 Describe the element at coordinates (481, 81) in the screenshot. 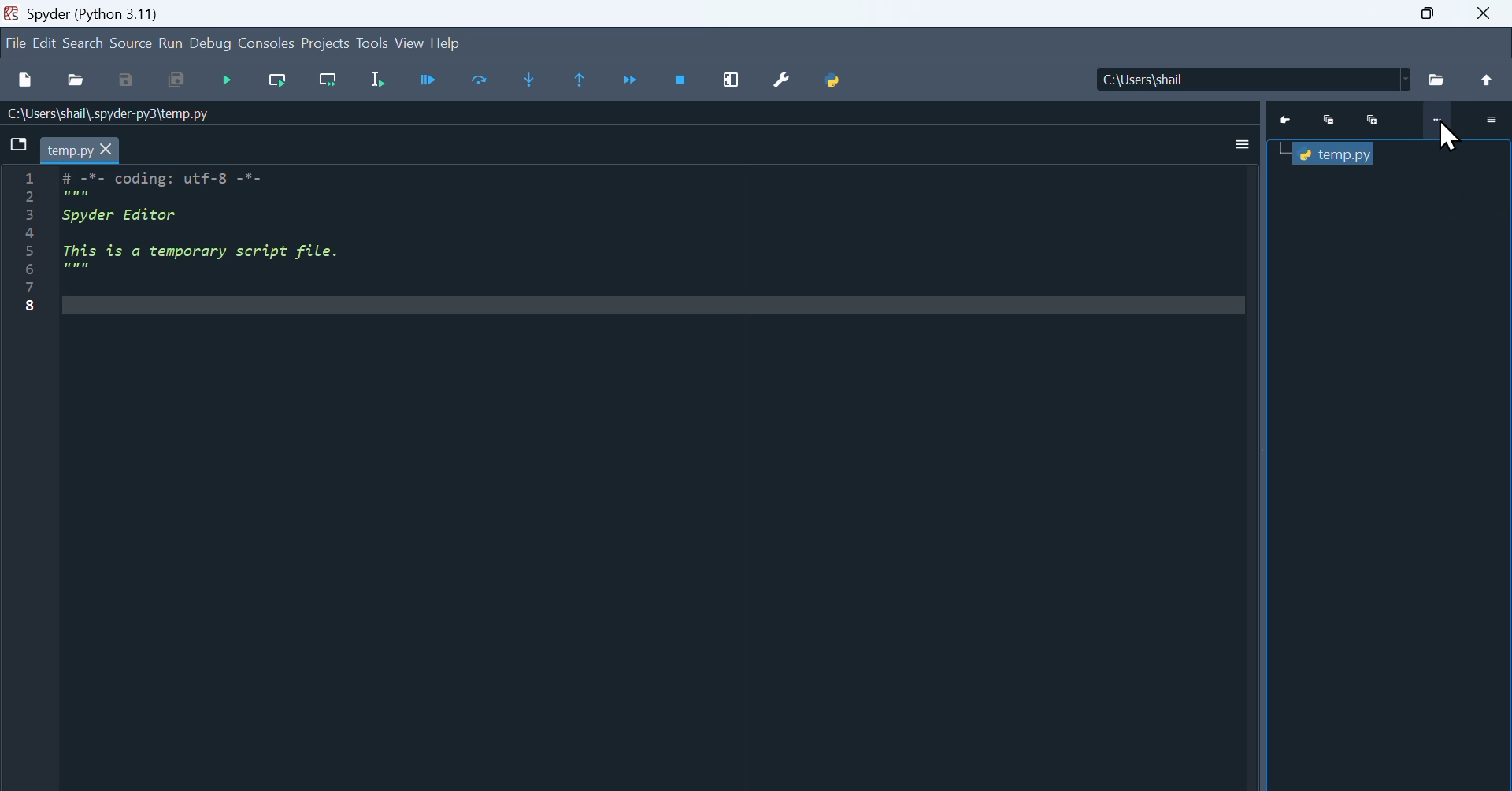

I see `Execute current line` at that location.